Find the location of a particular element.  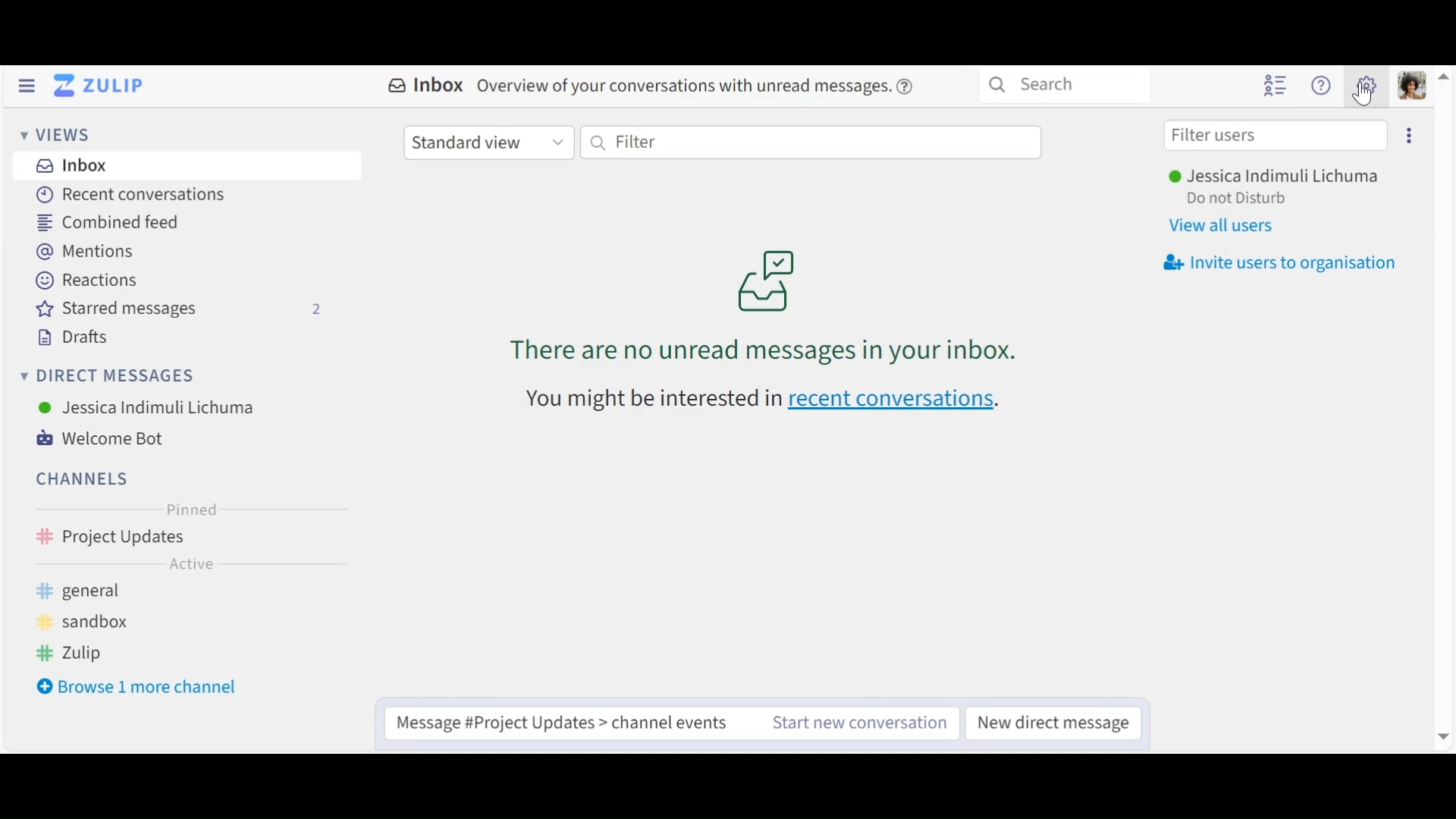

Search is located at coordinates (1067, 86).